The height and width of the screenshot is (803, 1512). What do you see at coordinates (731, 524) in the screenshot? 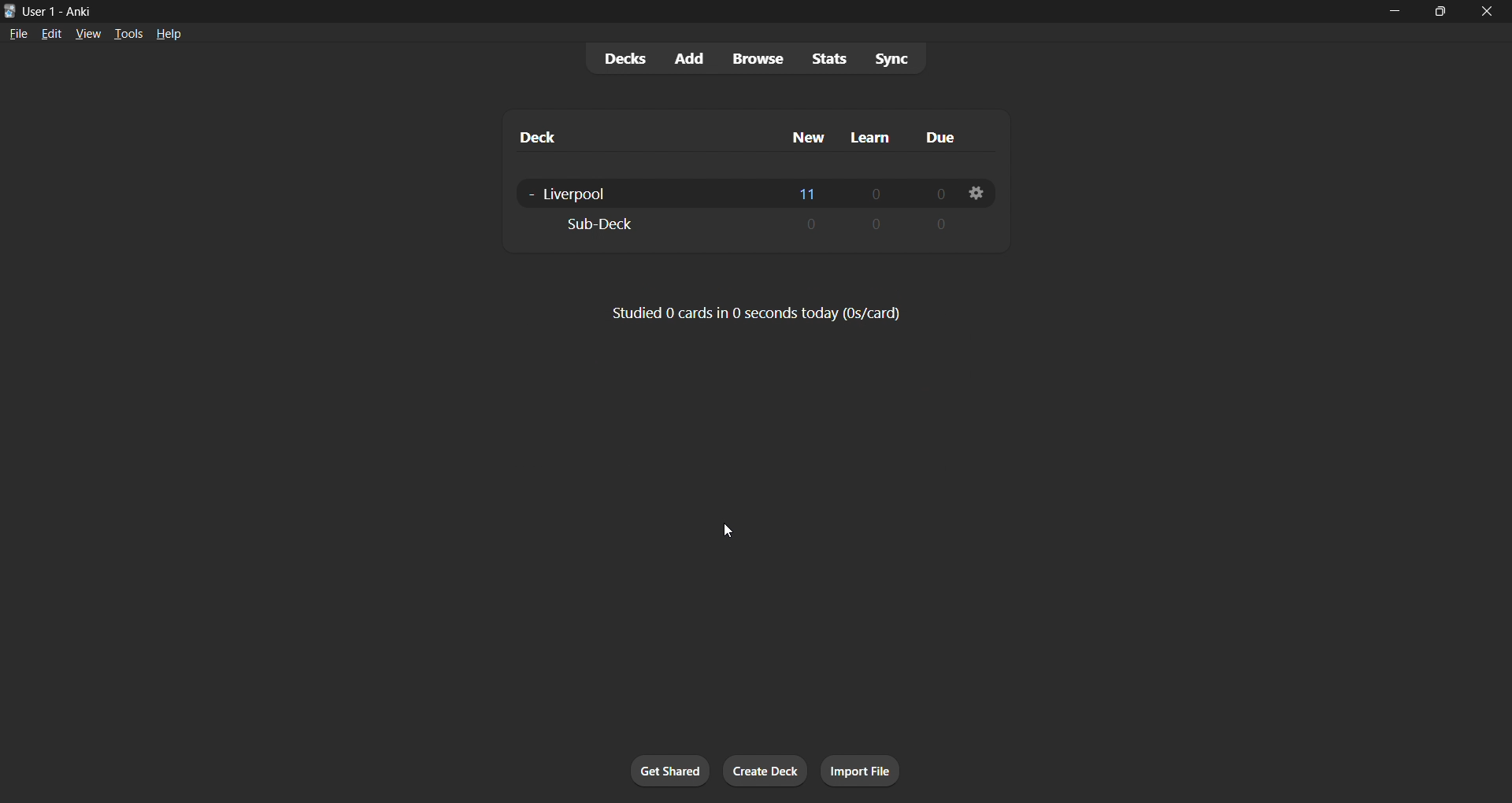
I see `cursor` at bounding box center [731, 524].